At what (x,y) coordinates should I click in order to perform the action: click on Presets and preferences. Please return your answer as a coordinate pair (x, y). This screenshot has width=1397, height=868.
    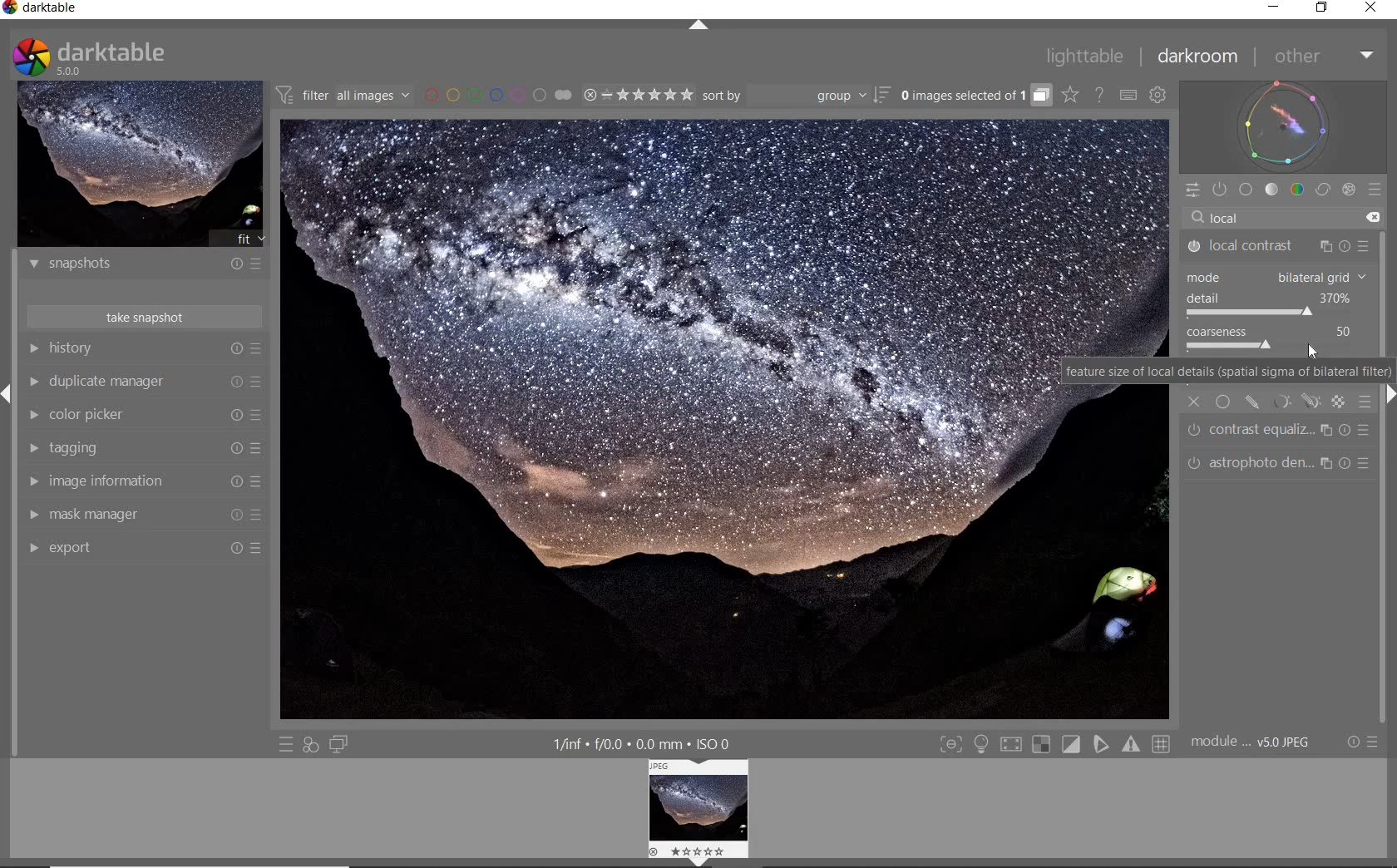
    Looking at the image, I should click on (259, 447).